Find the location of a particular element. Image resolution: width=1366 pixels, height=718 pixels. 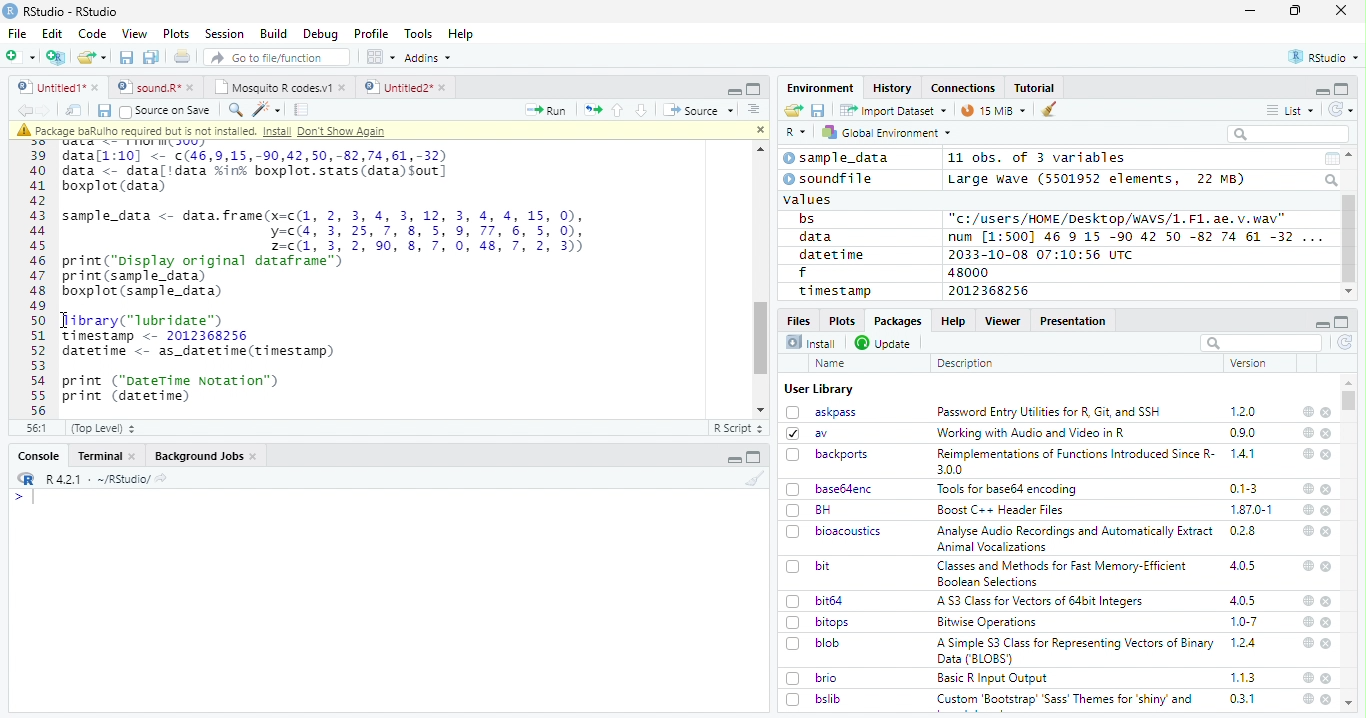

Untitled2* is located at coordinates (409, 88).